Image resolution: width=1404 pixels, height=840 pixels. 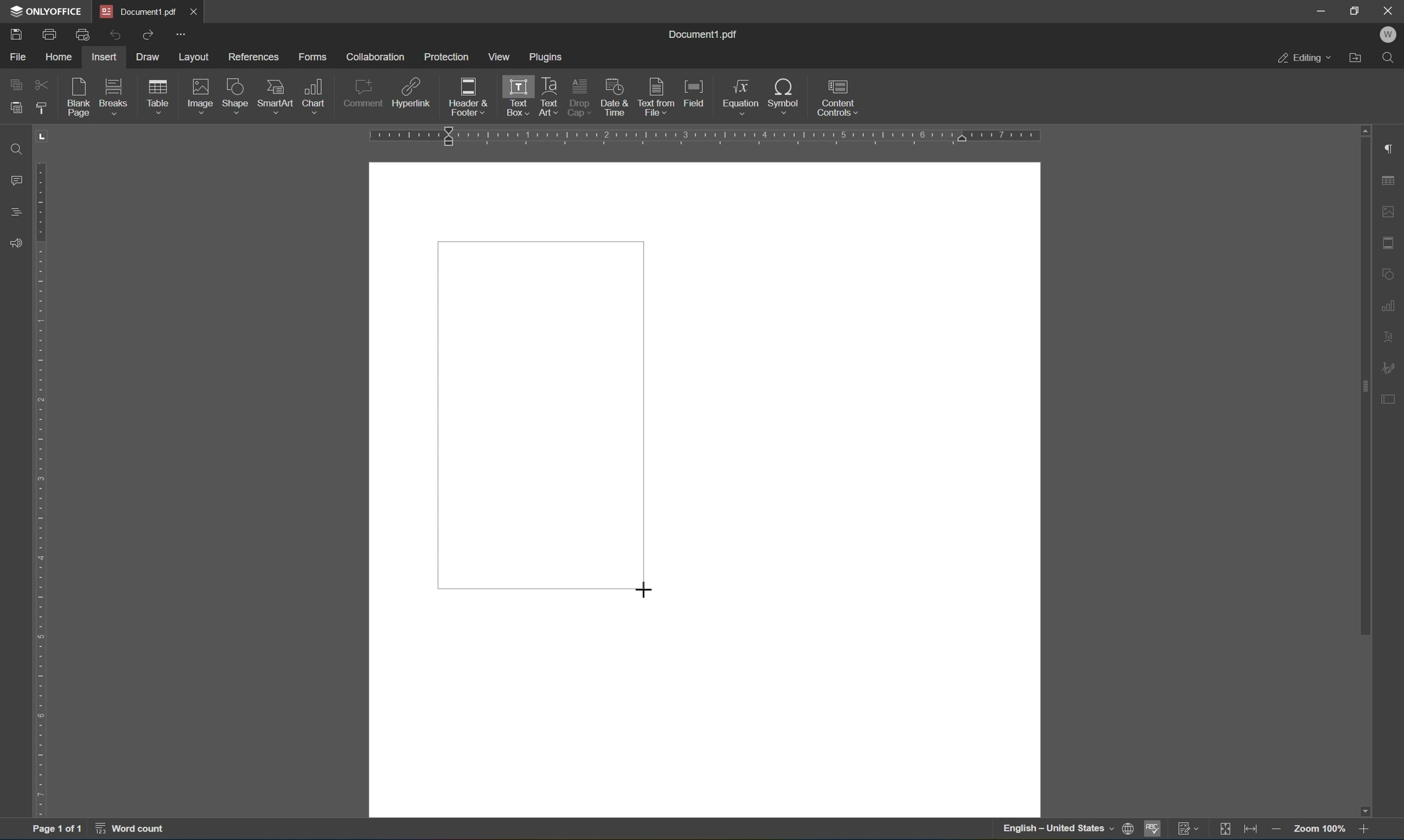 I want to click on Form settings, so click(x=1390, y=397).